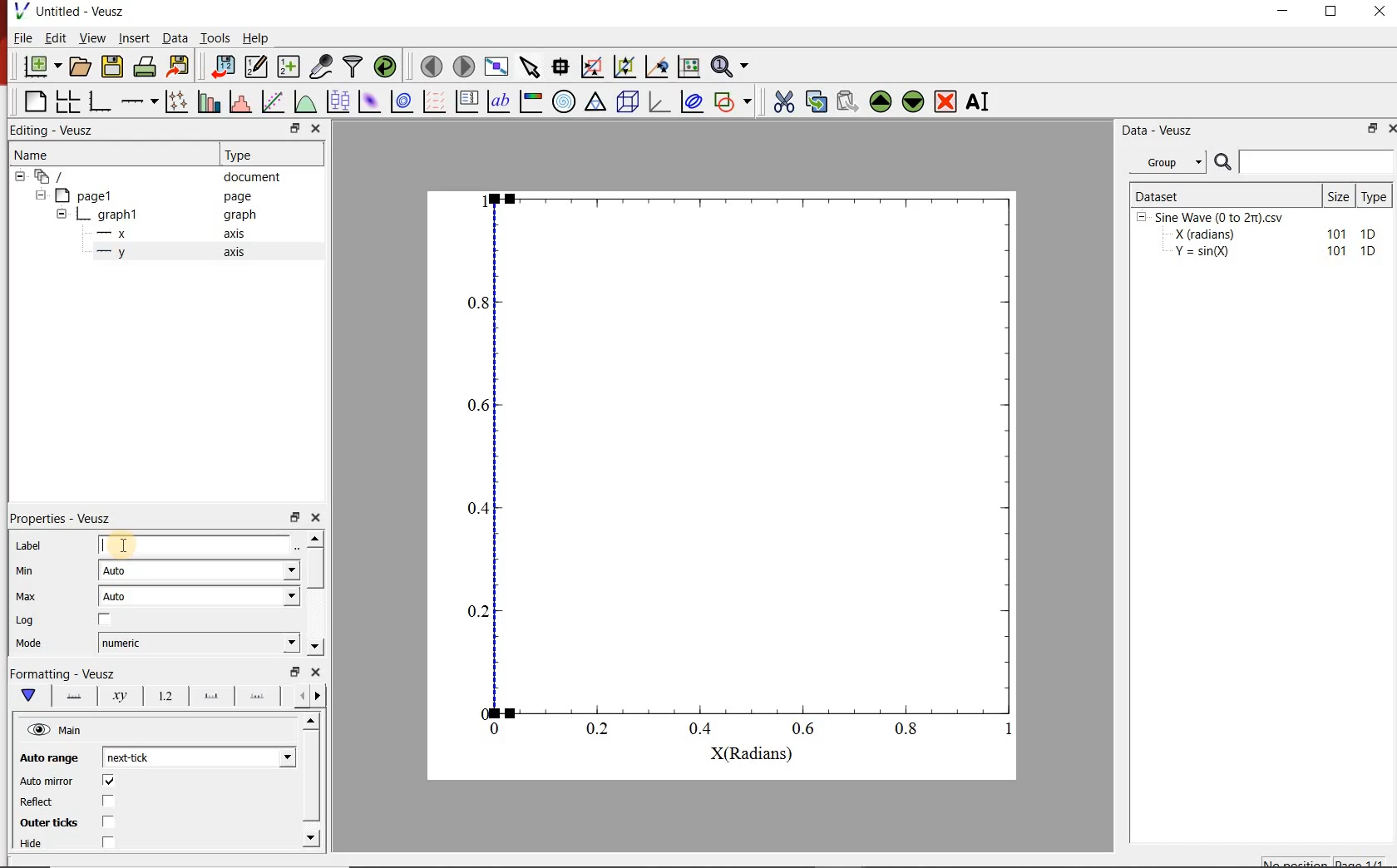 This screenshot has height=868, width=1397. I want to click on Search, so click(1305, 162).